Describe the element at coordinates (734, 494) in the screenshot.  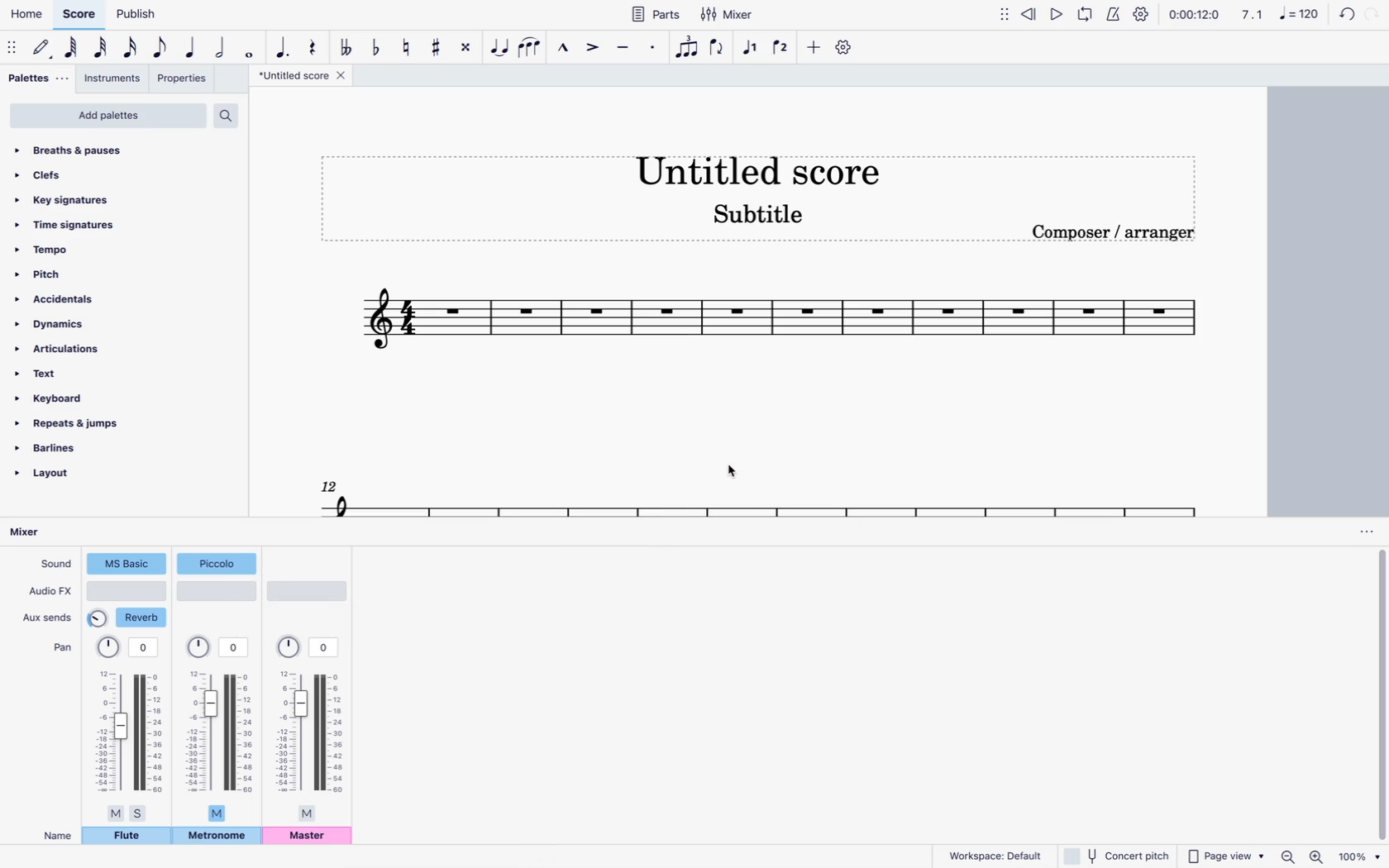
I see `score` at that location.